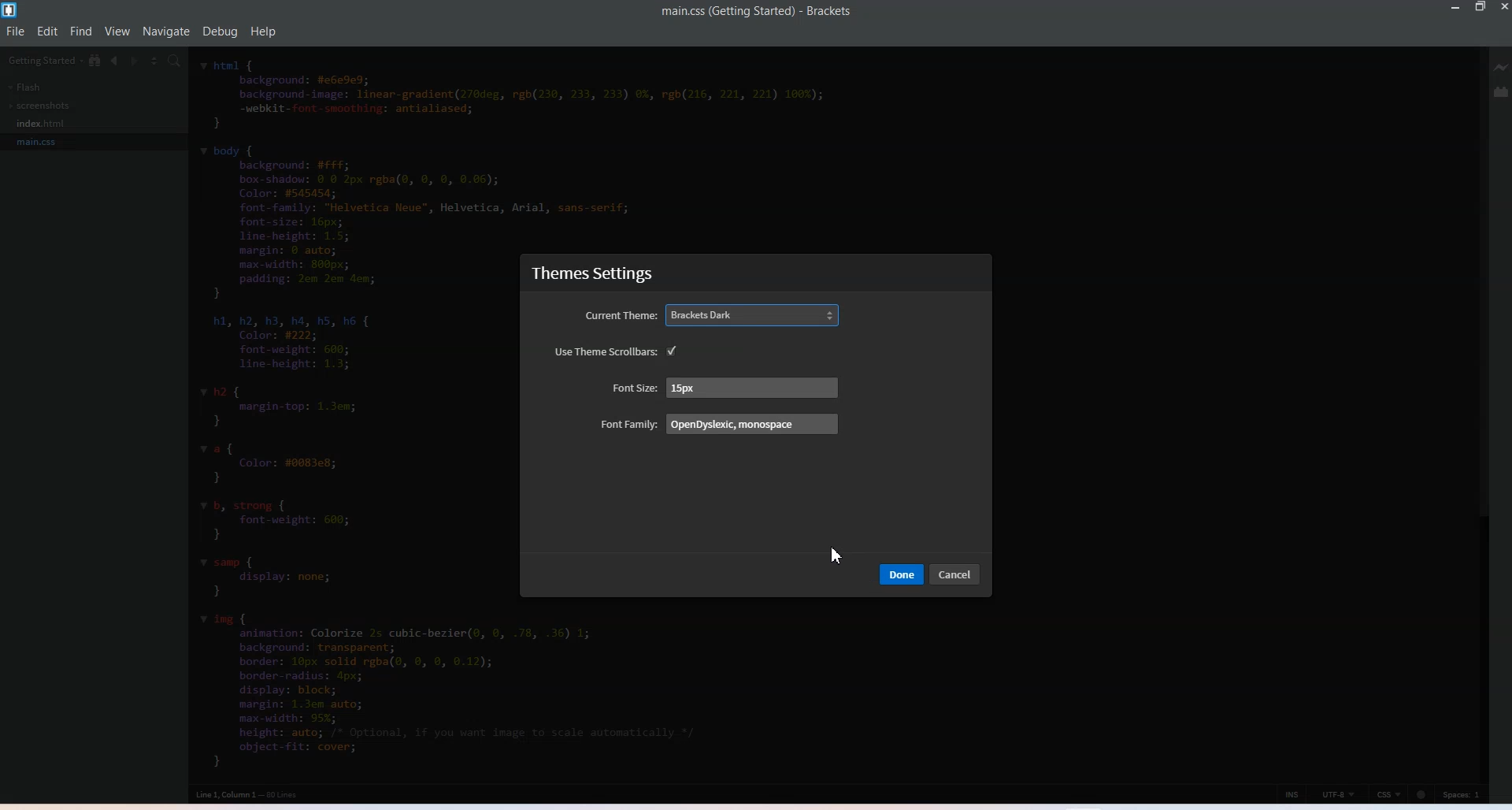  I want to click on Live Preview, so click(1502, 66).